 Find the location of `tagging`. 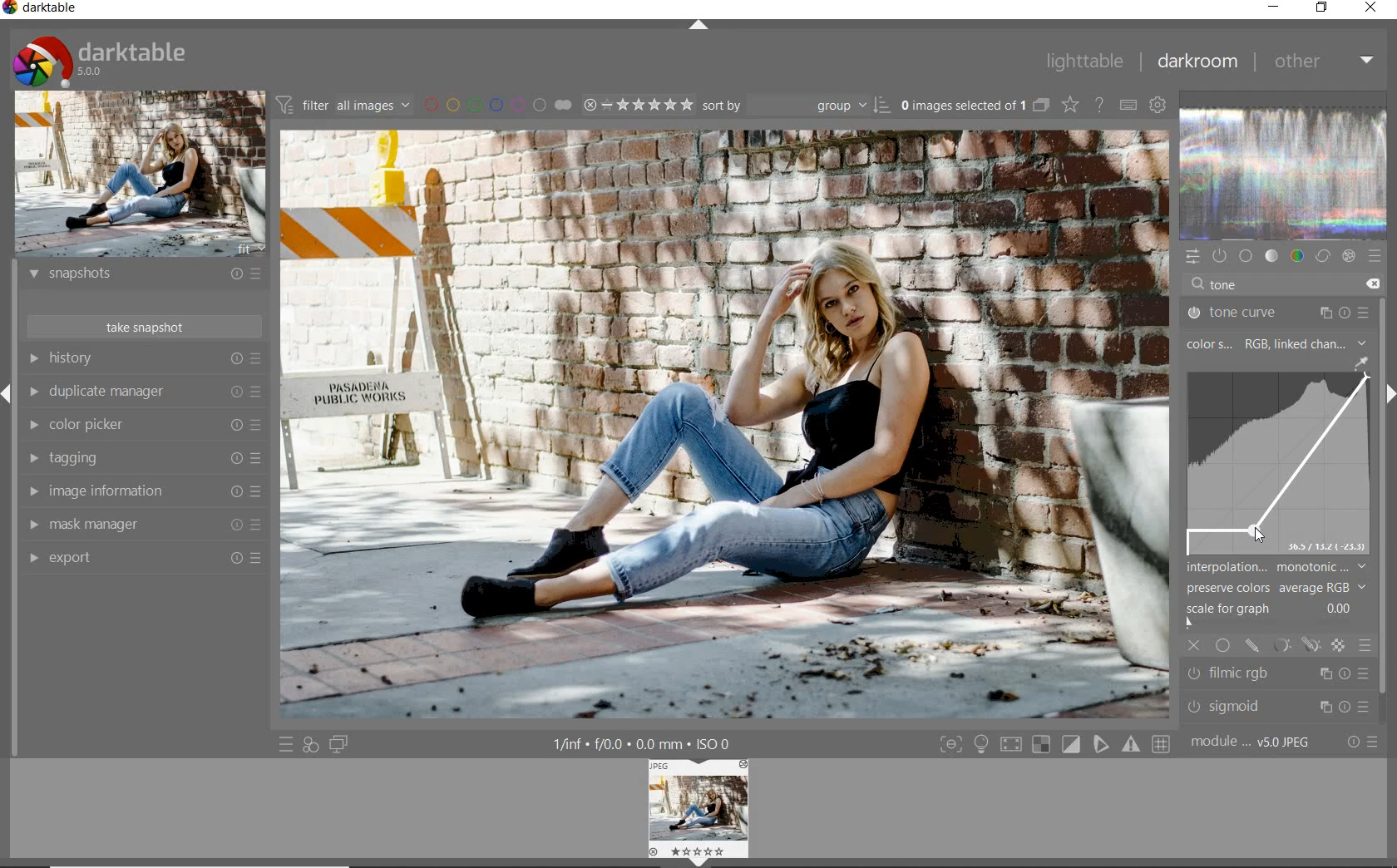

tagging is located at coordinates (144, 457).